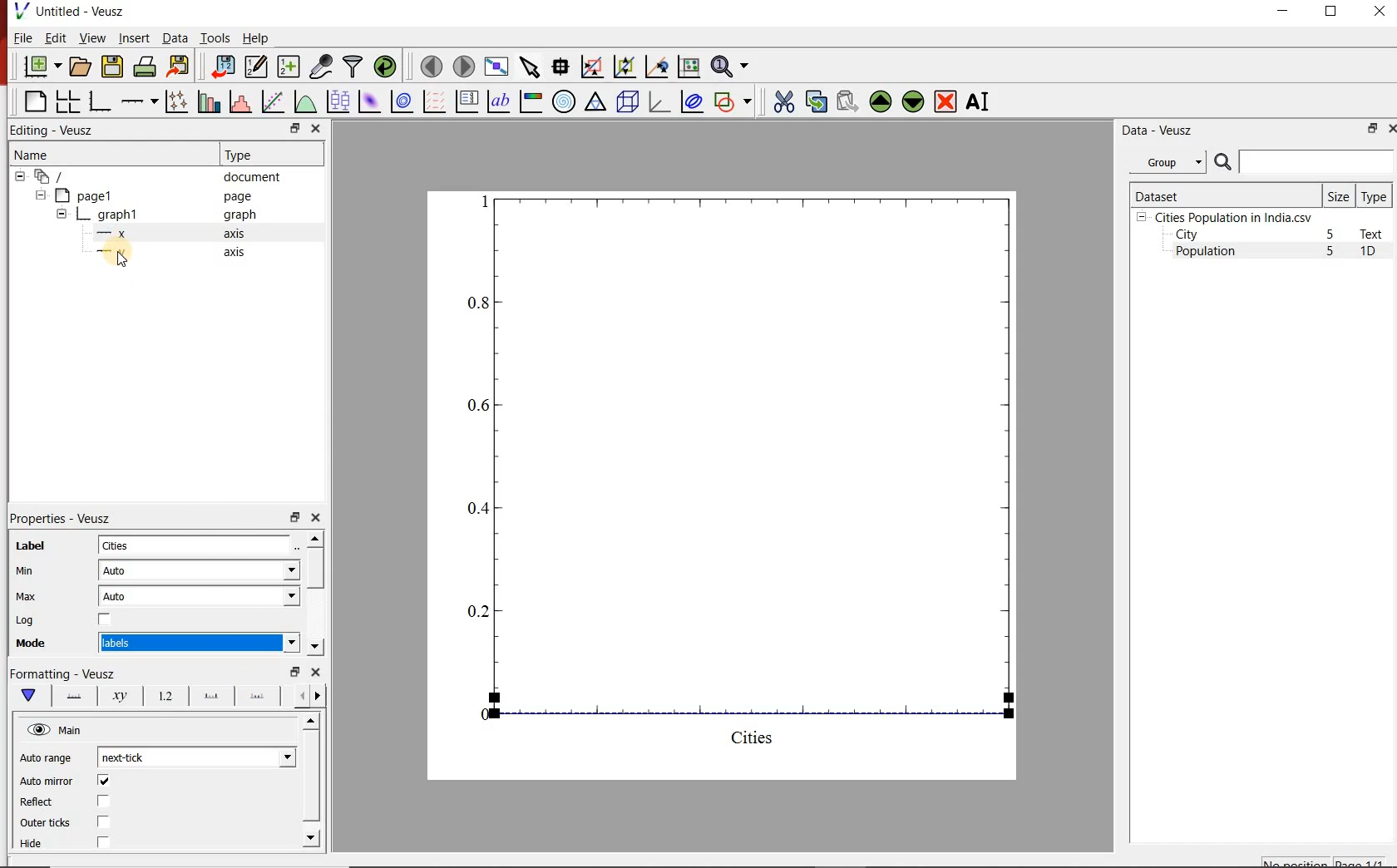 Image resolution: width=1397 pixels, height=868 pixels. What do you see at coordinates (42, 801) in the screenshot?
I see `Reflect` at bounding box center [42, 801].